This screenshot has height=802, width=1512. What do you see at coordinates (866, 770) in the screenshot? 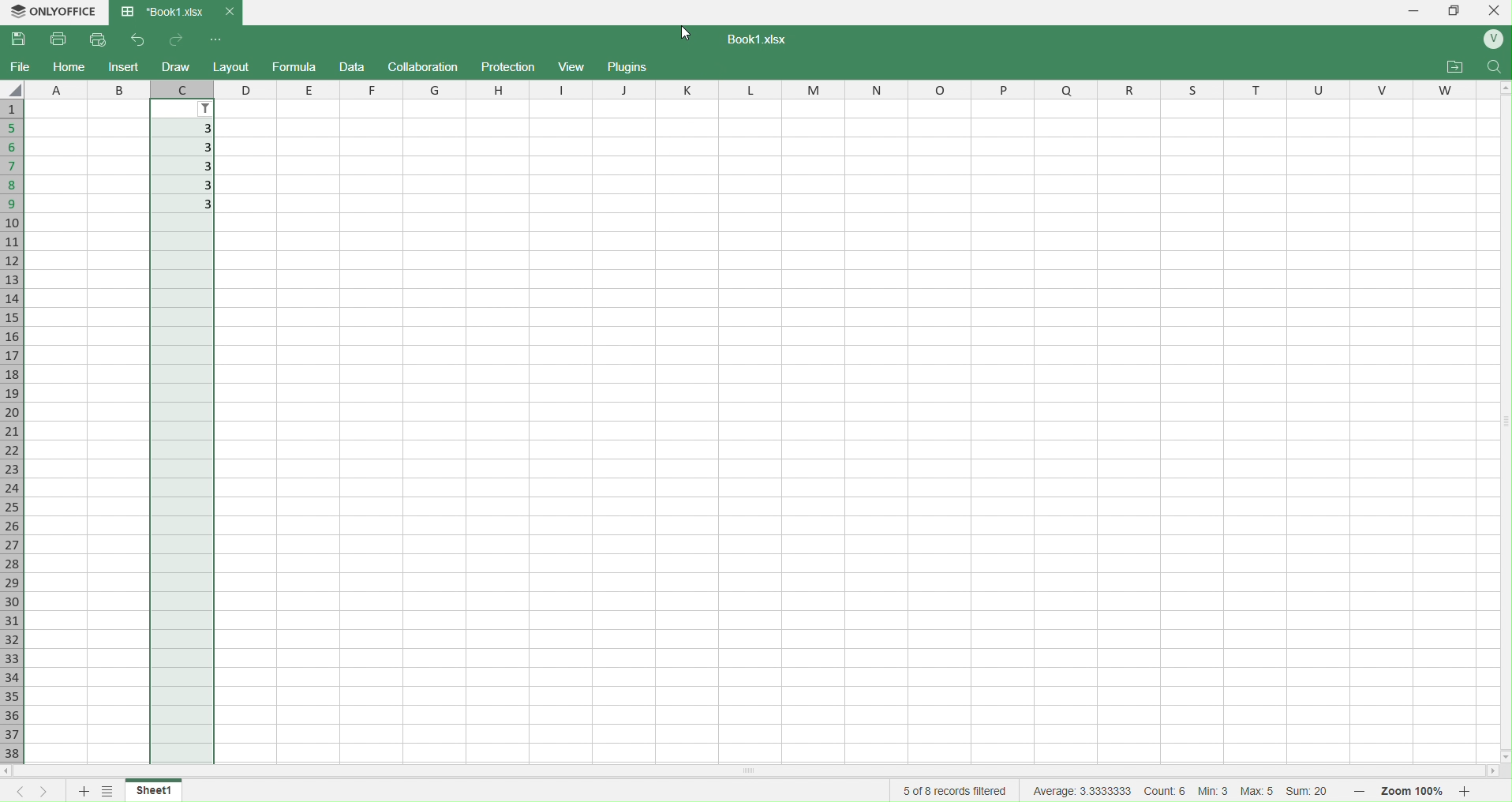
I see `Scrollbar` at bounding box center [866, 770].